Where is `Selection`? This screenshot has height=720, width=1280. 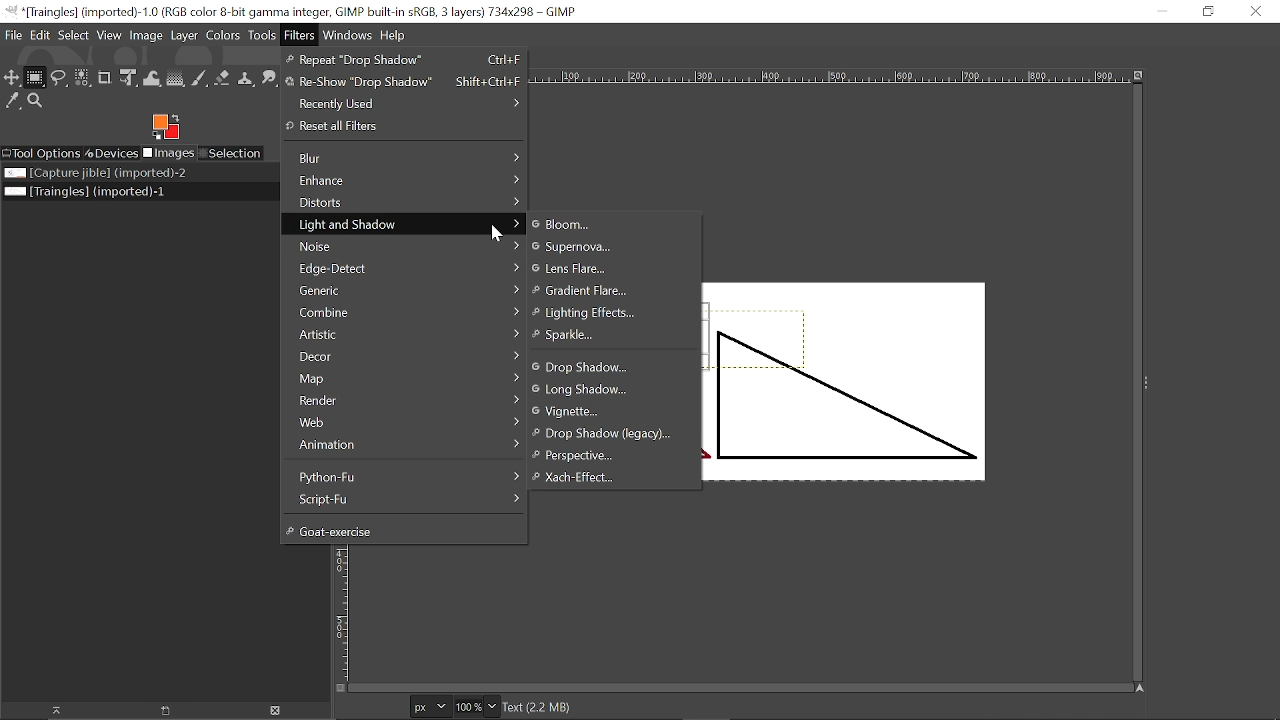
Selection is located at coordinates (232, 153).